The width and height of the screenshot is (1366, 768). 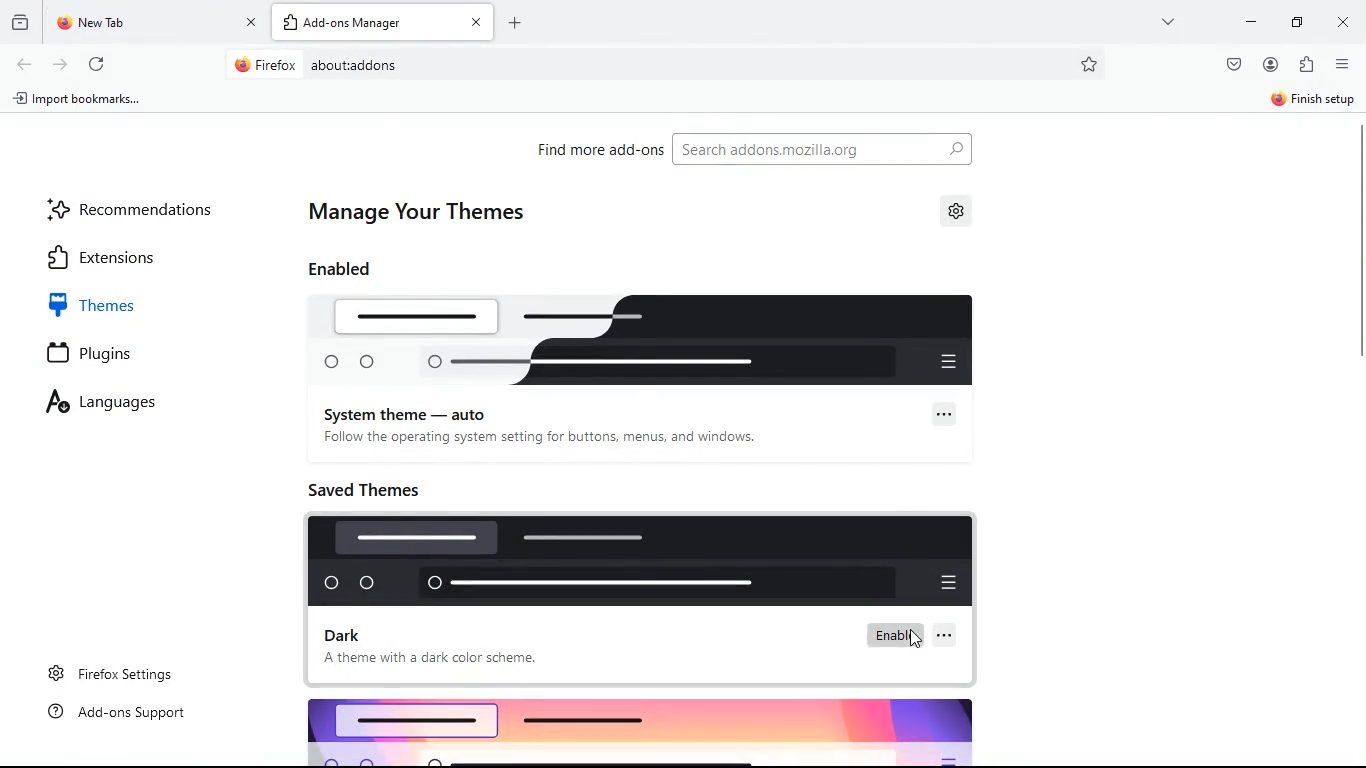 What do you see at coordinates (961, 213) in the screenshot?
I see `settings` at bounding box center [961, 213].